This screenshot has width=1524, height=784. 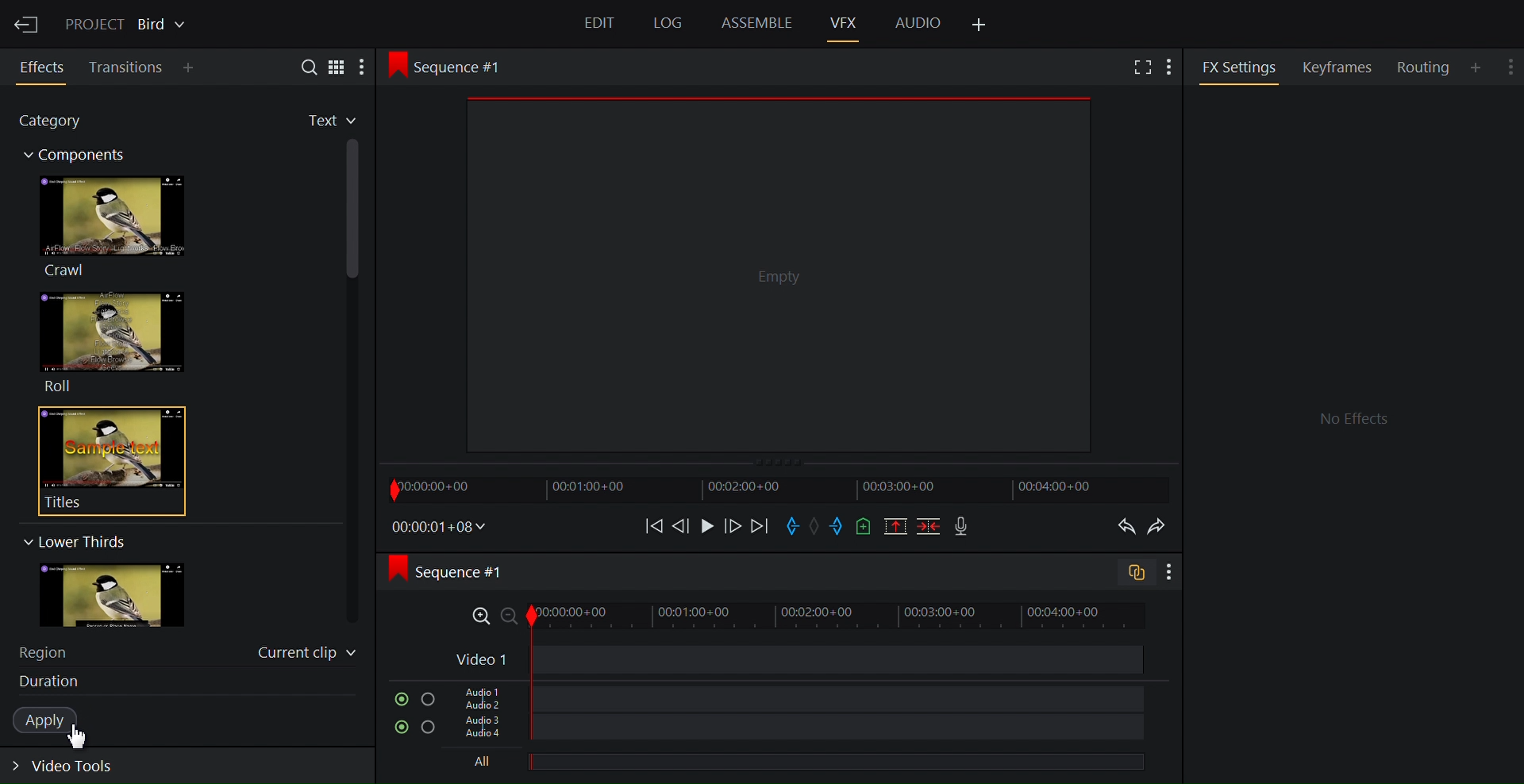 I want to click on Move forward, so click(x=759, y=527).